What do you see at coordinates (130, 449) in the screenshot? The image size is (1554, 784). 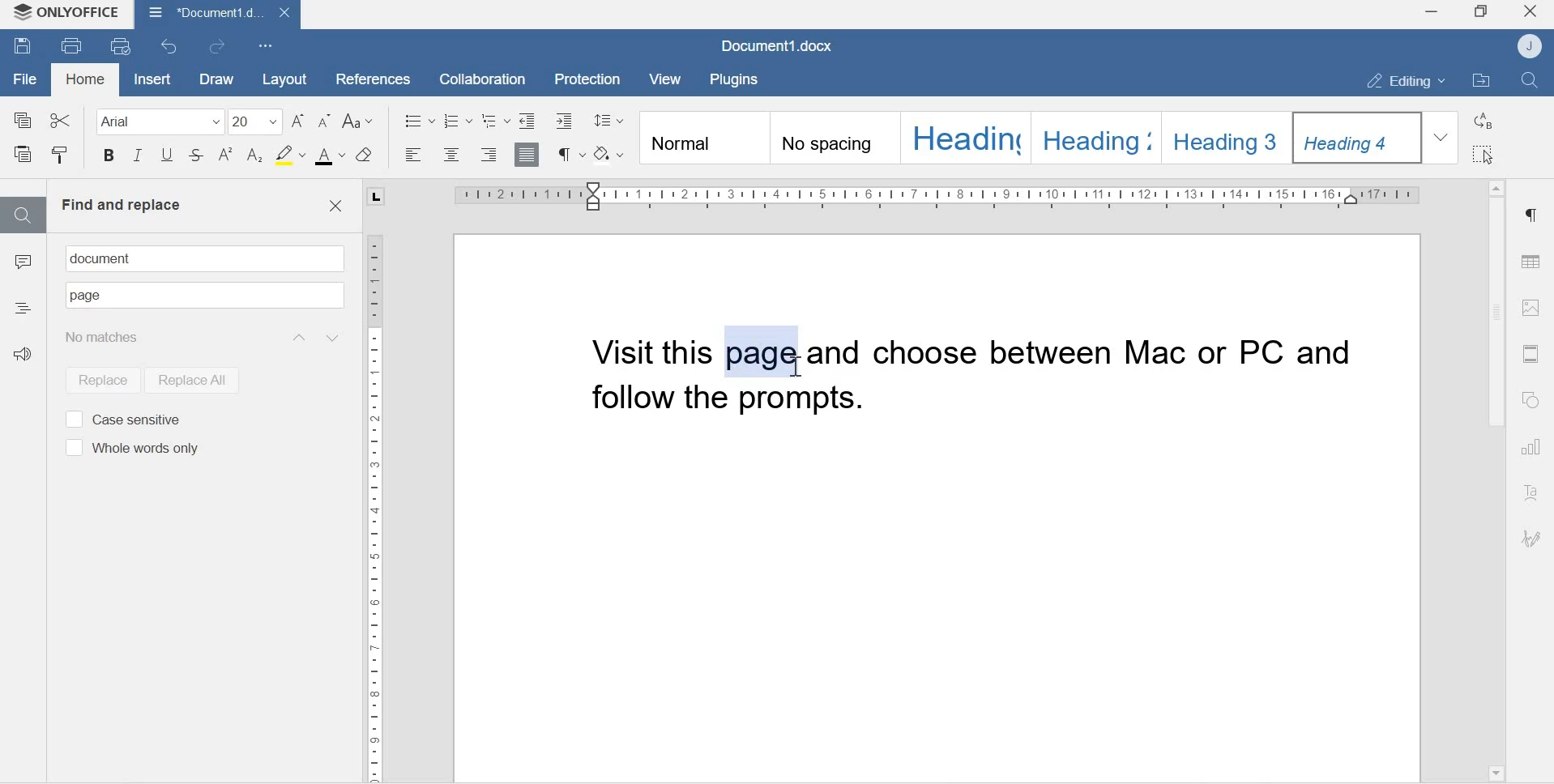 I see `Whole words only` at bounding box center [130, 449].